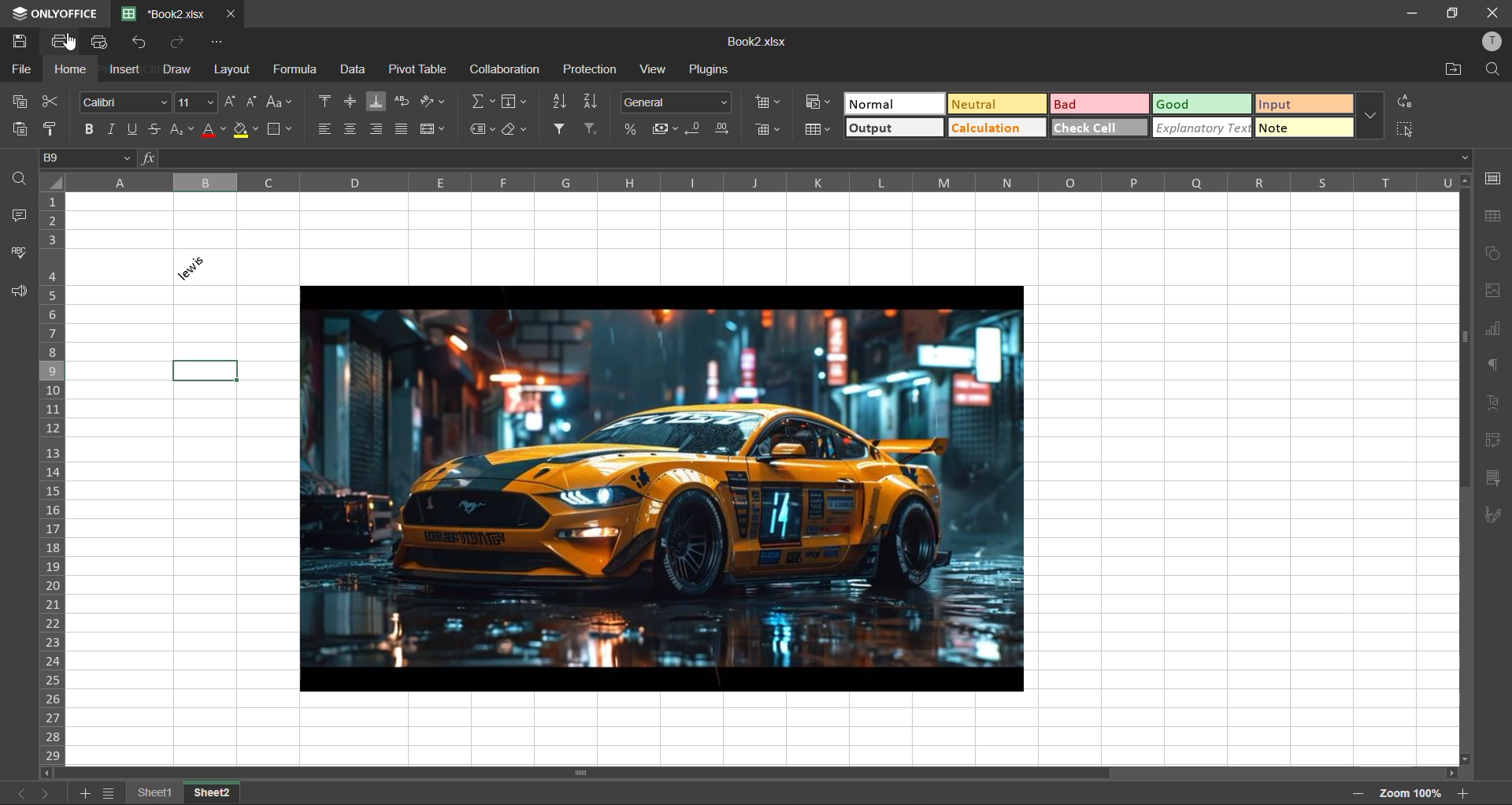  I want to click on zoom in, so click(1467, 792).